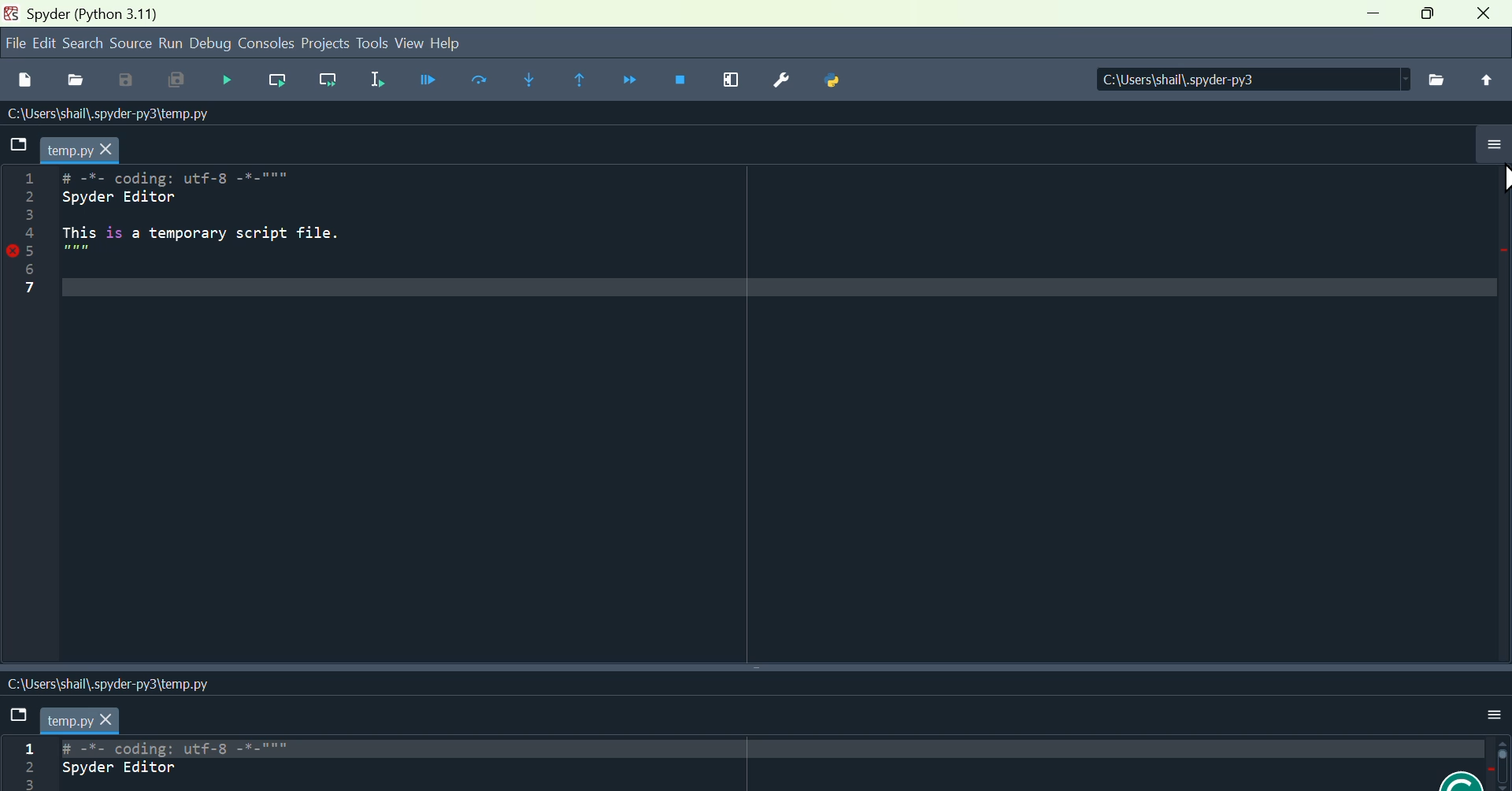  Describe the element at coordinates (1427, 19) in the screenshot. I see `Maximise` at that location.